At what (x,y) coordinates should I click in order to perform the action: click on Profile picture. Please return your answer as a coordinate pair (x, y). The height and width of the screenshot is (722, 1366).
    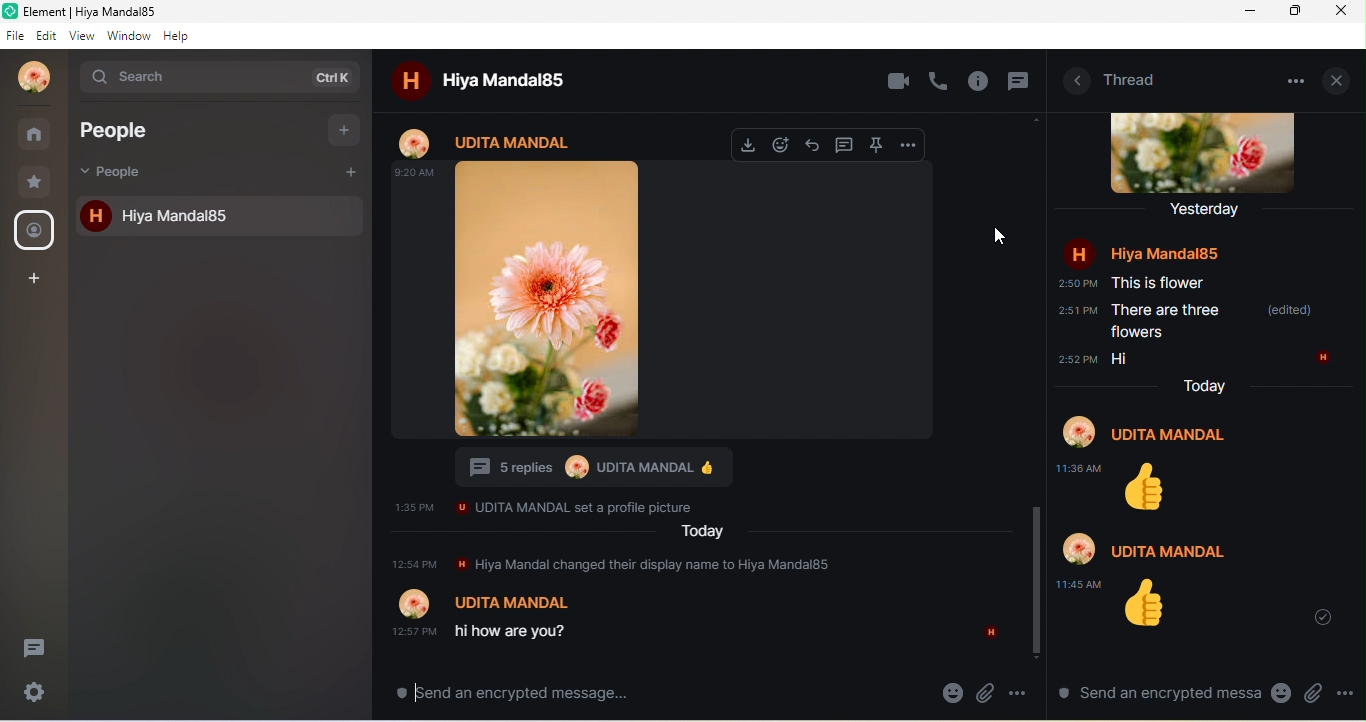
    Looking at the image, I should click on (1078, 547).